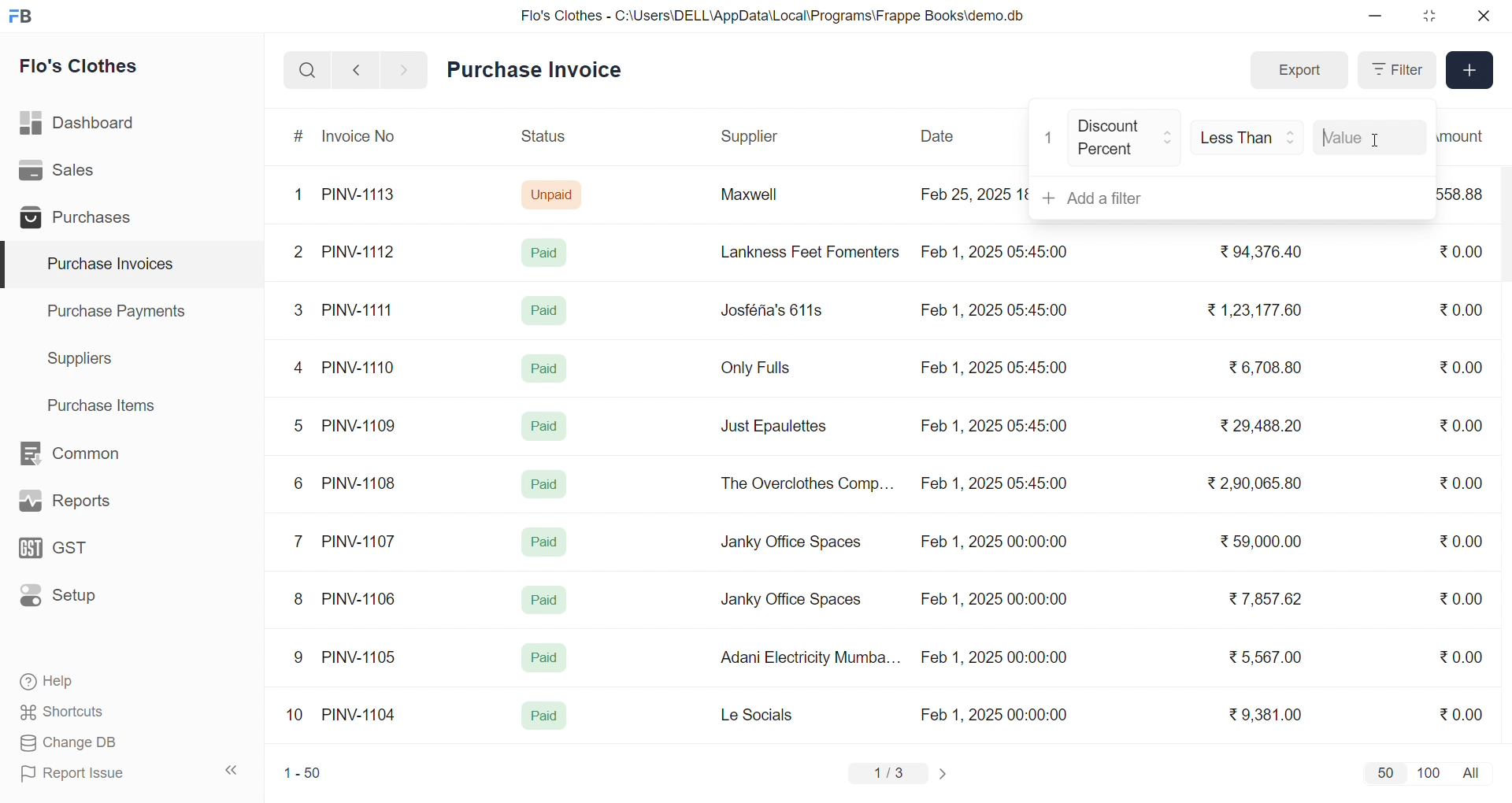 The image size is (1512, 803). I want to click on 1/3, so click(889, 775).